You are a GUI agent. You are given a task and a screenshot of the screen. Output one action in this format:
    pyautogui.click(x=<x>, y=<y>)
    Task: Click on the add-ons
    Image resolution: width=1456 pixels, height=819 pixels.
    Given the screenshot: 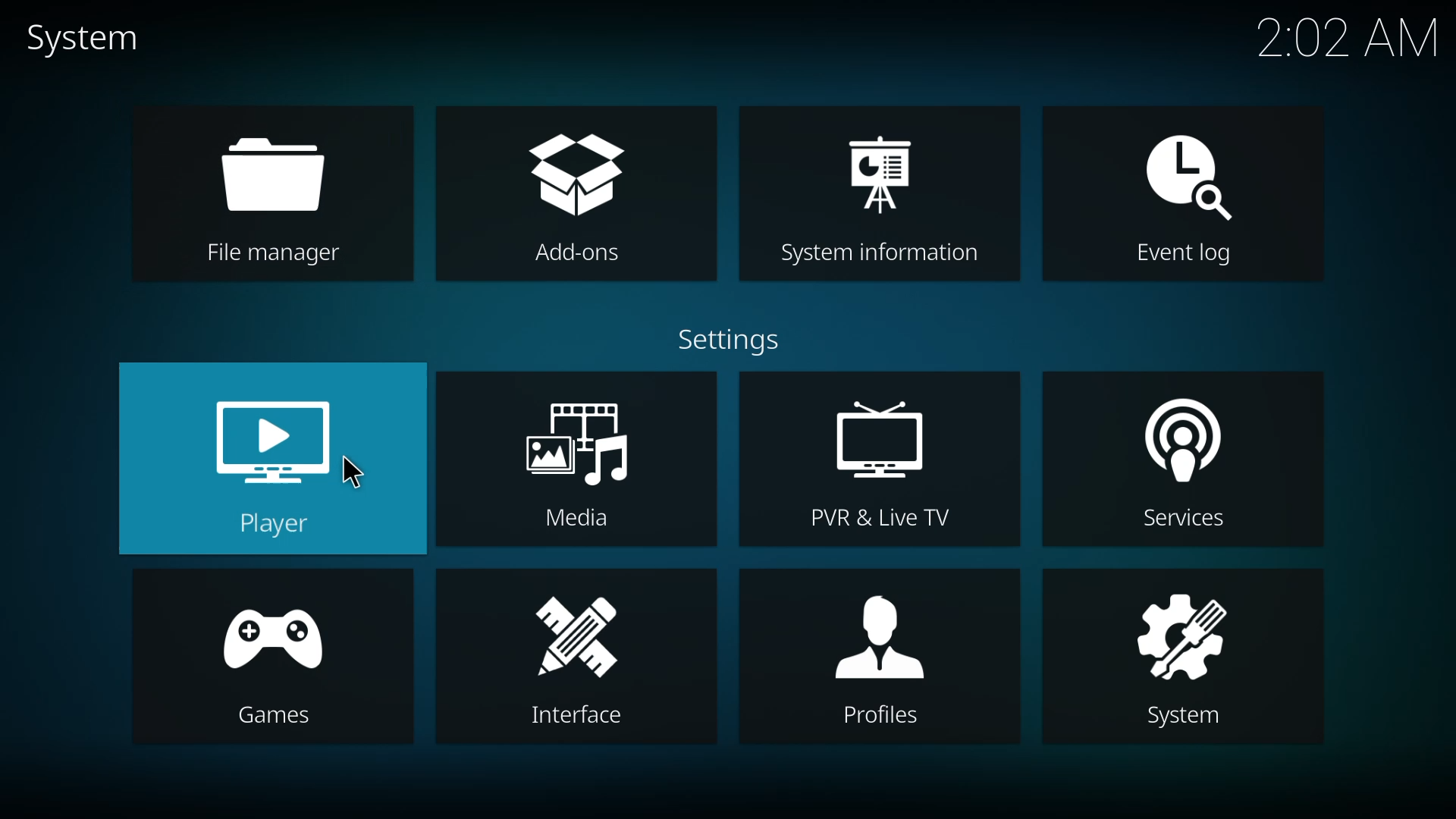 What is the action you would take?
    pyautogui.click(x=574, y=197)
    